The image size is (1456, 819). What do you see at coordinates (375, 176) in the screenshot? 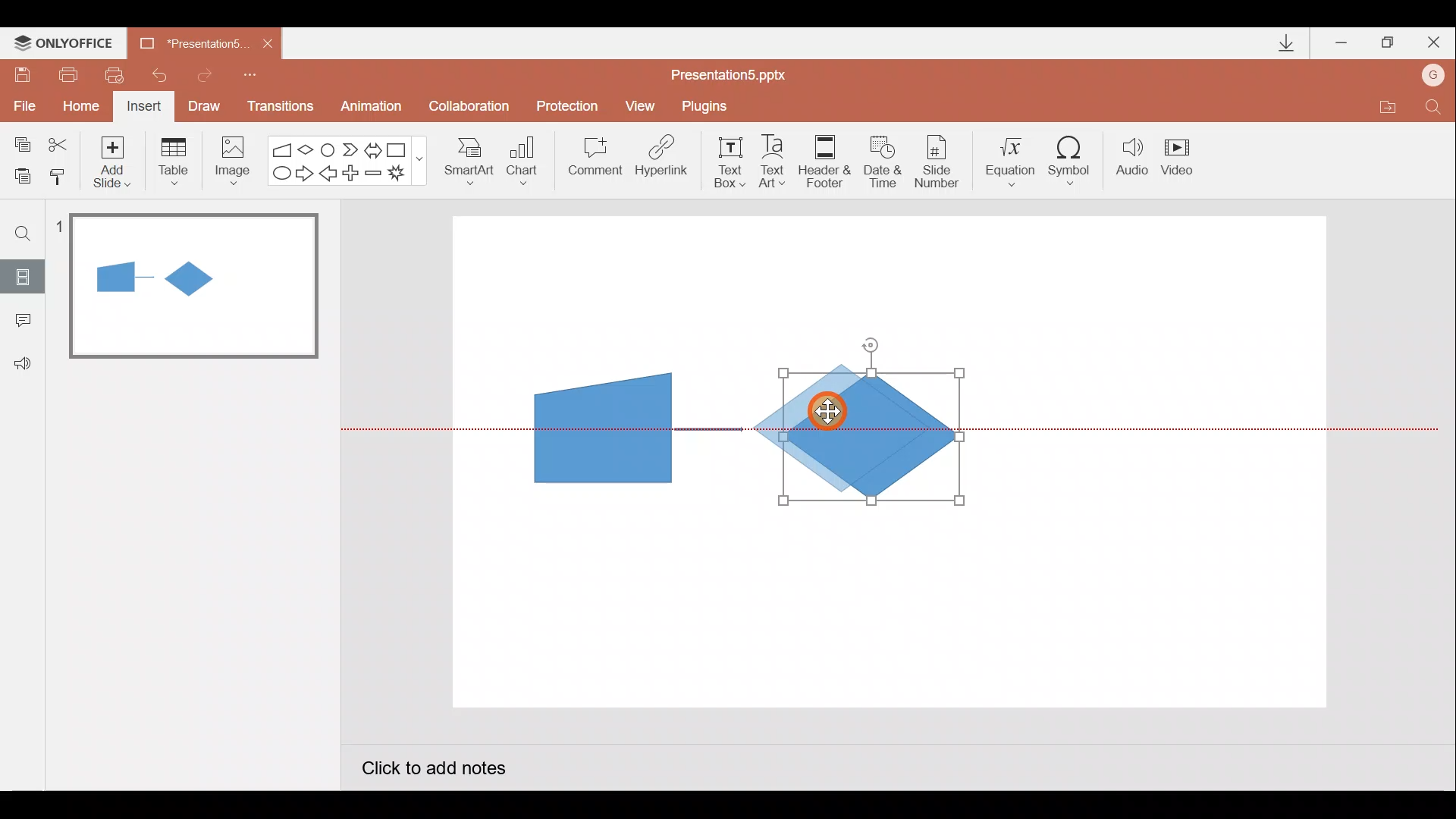
I see `Minus` at bounding box center [375, 176].